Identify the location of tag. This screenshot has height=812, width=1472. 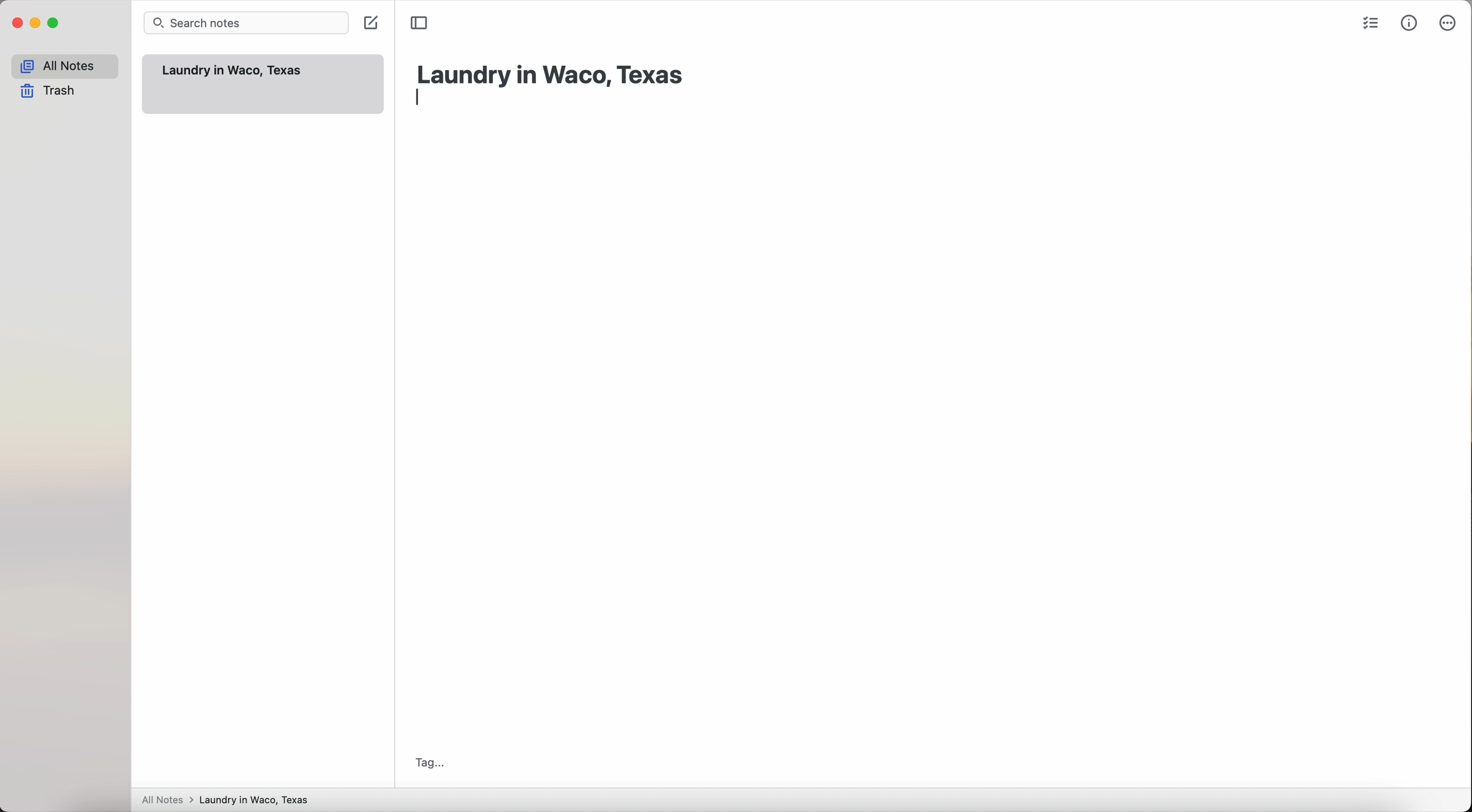
(426, 763).